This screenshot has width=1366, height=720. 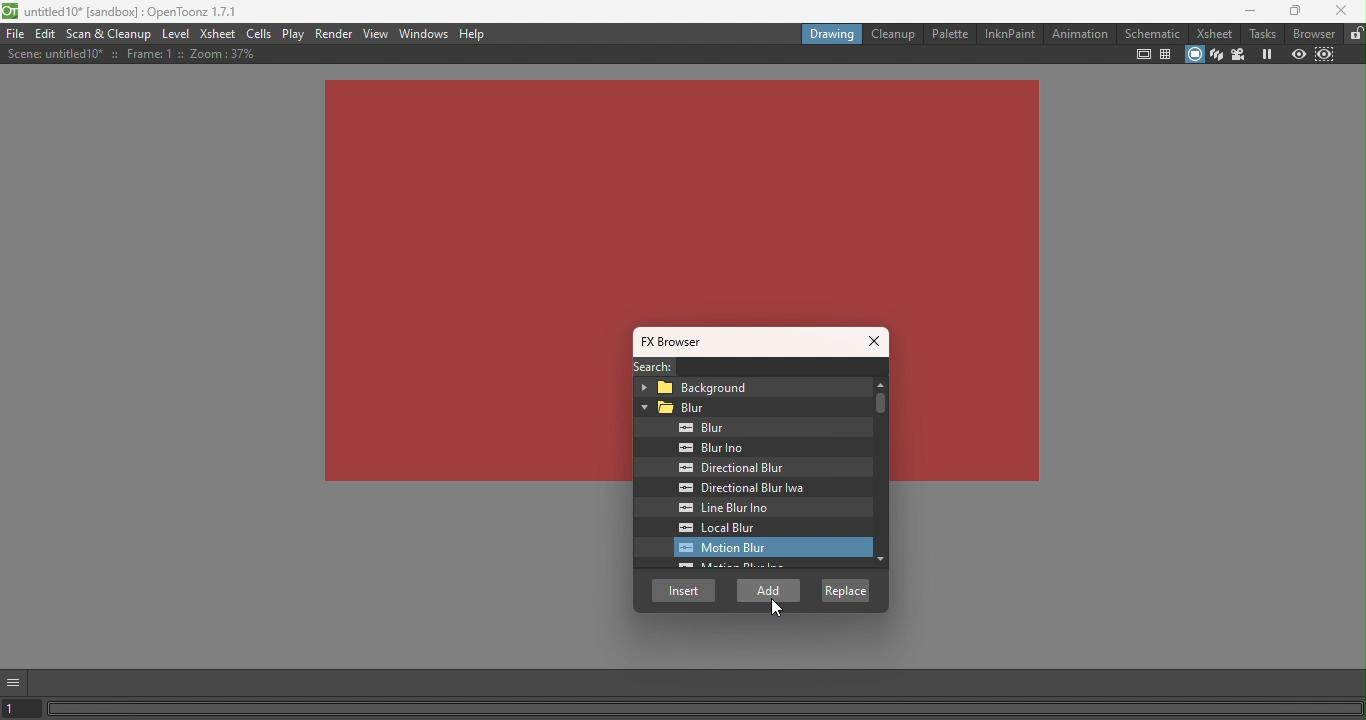 What do you see at coordinates (295, 34) in the screenshot?
I see `Play ` at bounding box center [295, 34].